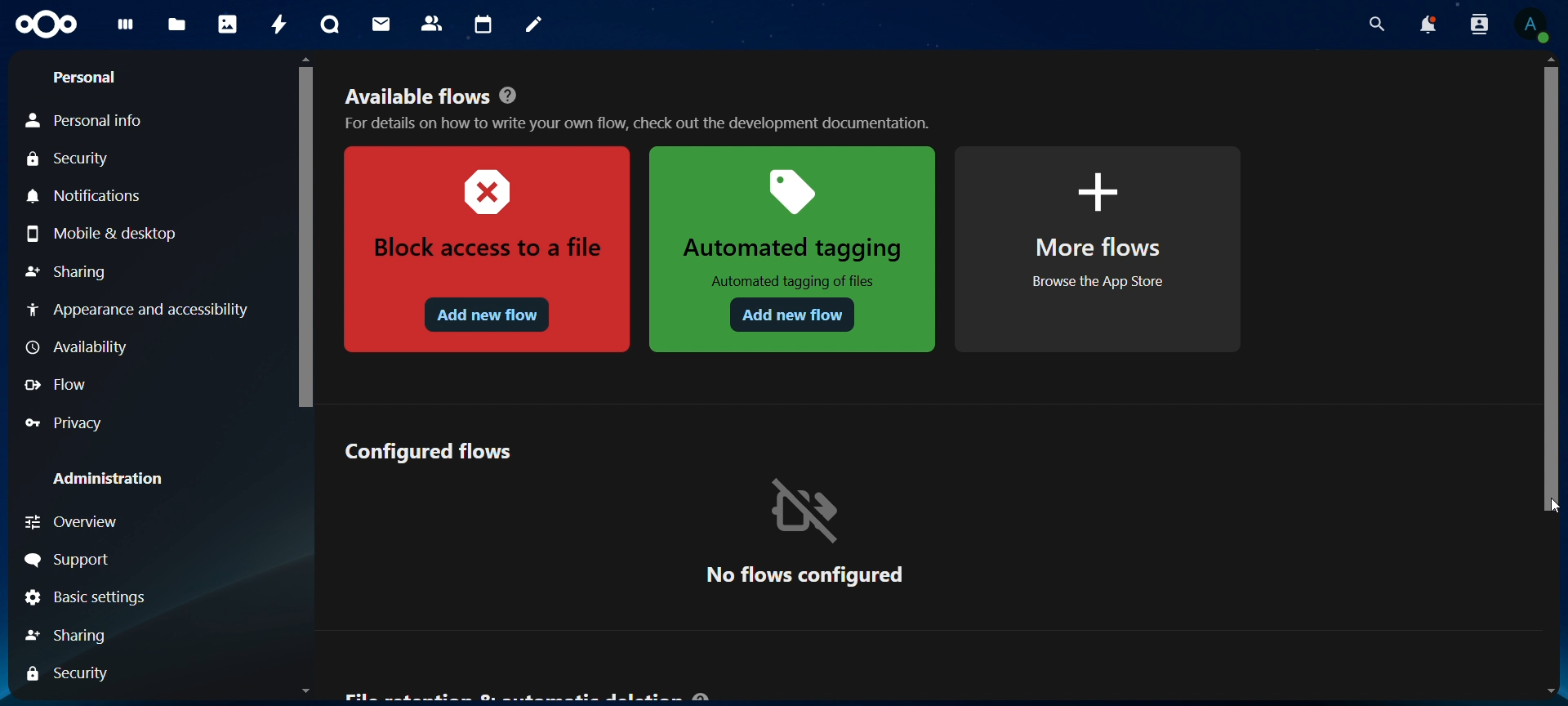 The image size is (1568, 706). What do you see at coordinates (383, 24) in the screenshot?
I see `mail` at bounding box center [383, 24].